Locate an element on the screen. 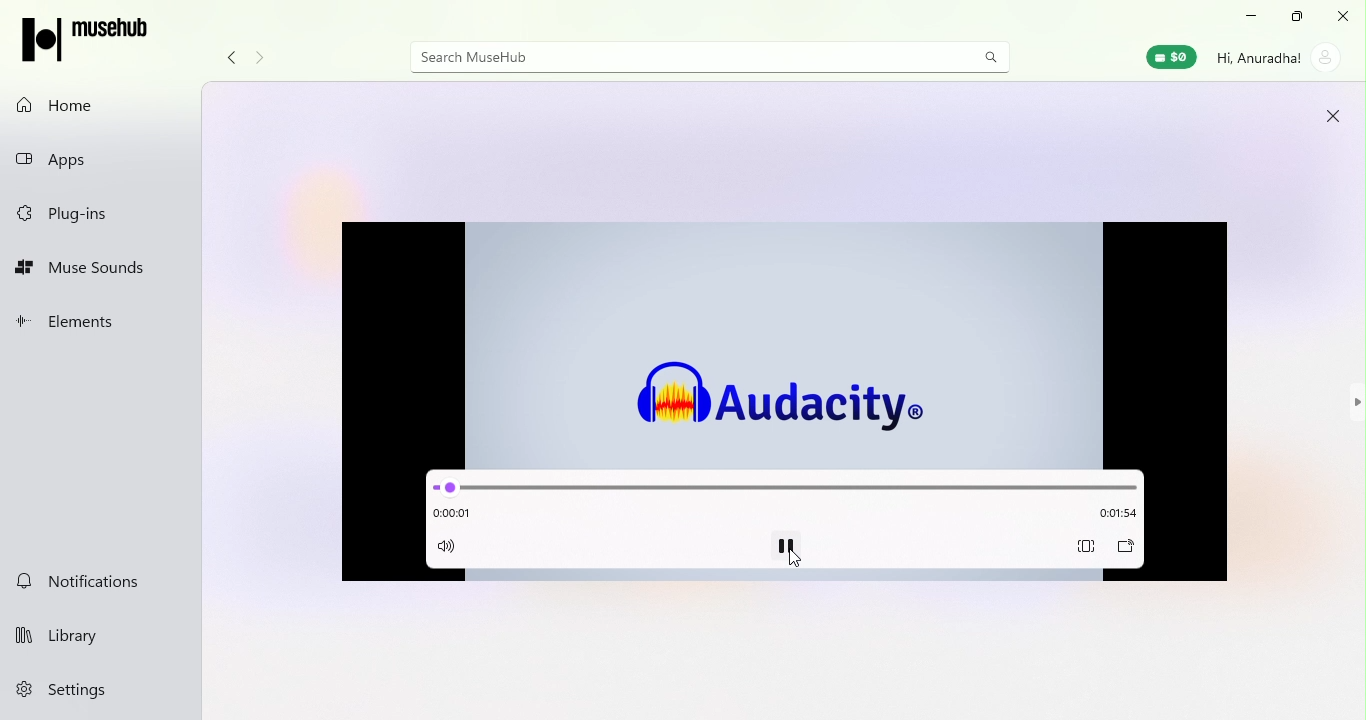 The height and width of the screenshot is (720, 1366). search is located at coordinates (996, 58).